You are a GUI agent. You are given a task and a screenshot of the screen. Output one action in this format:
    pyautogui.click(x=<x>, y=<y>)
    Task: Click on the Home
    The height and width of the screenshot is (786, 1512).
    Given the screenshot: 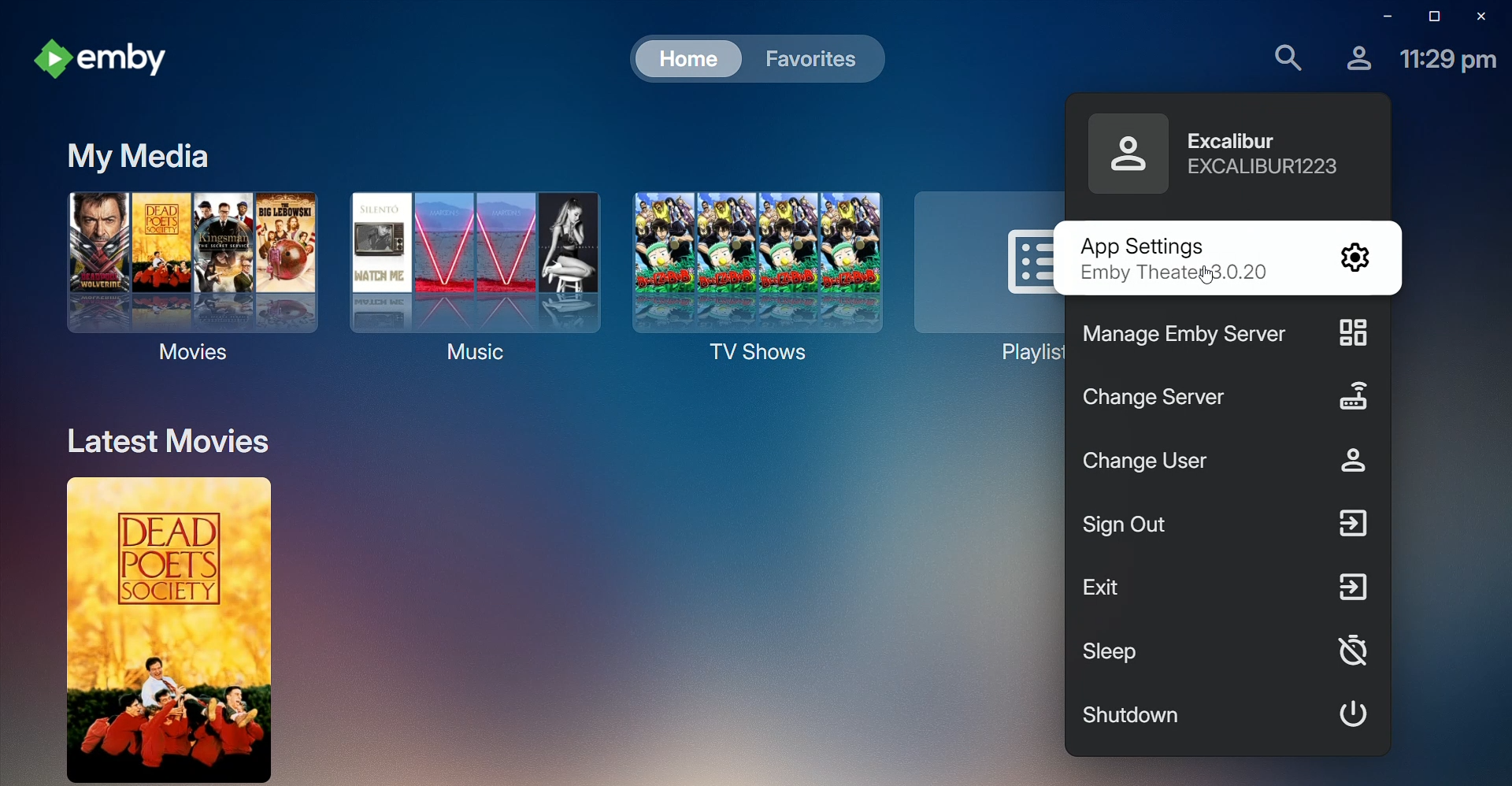 What is the action you would take?
    pyautogui.click(x=685, y=57)
    